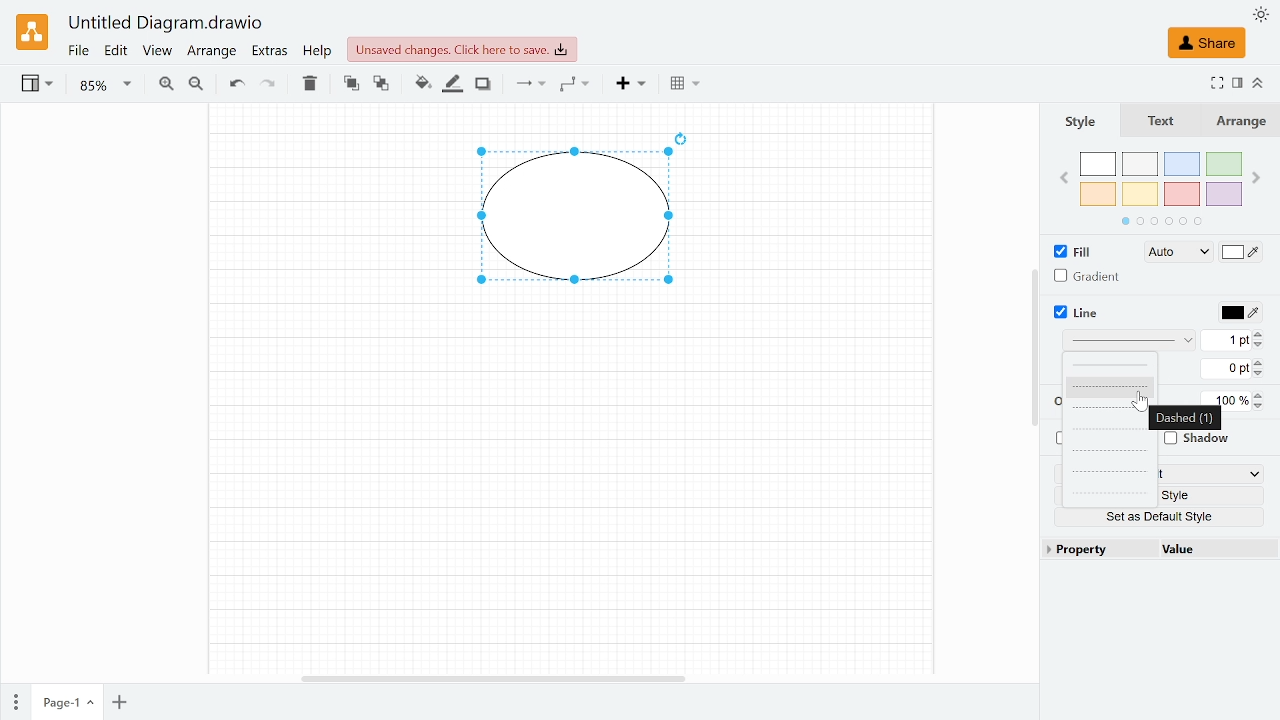  I want to click on Undo, so click(237, 85).